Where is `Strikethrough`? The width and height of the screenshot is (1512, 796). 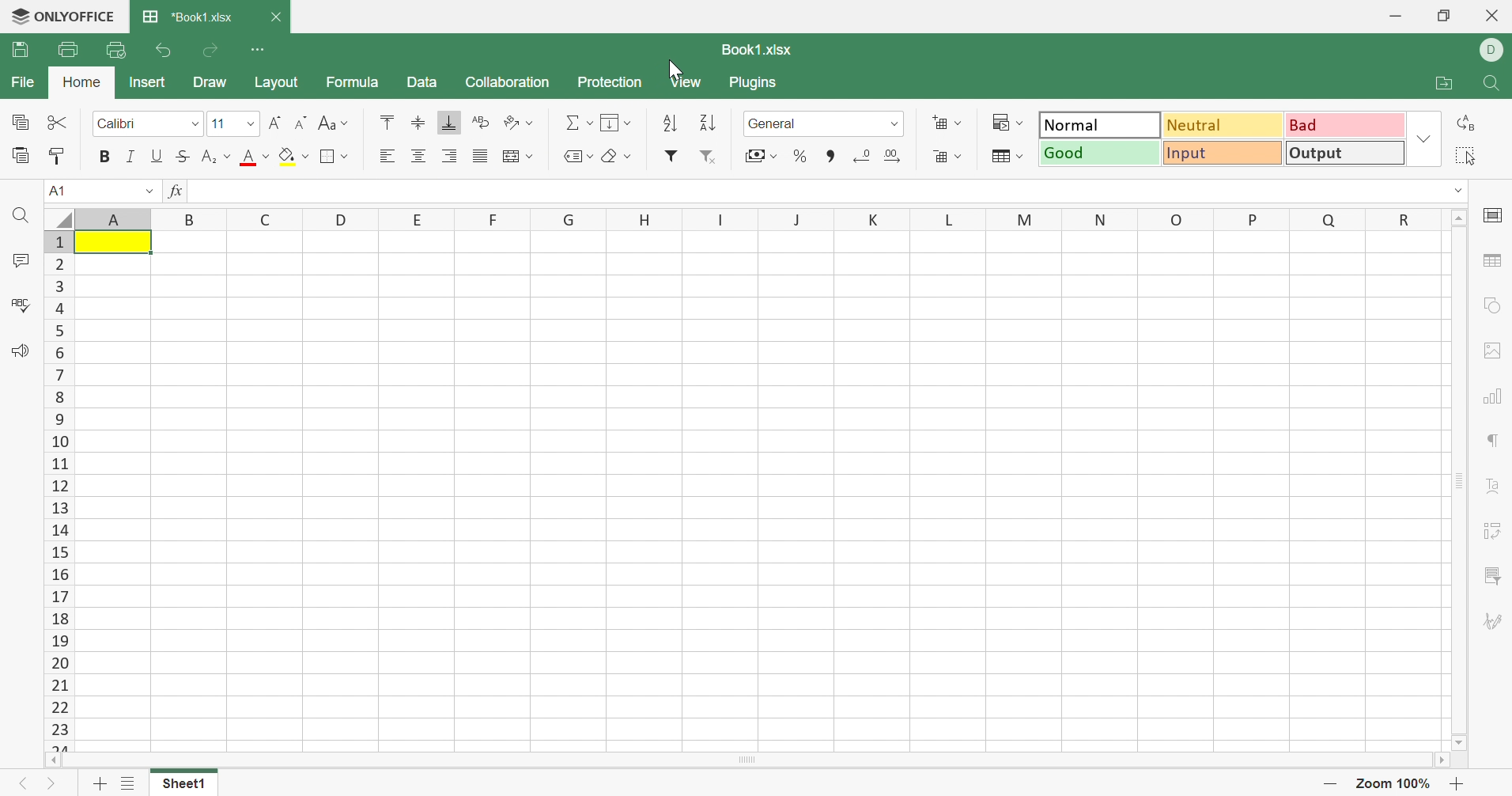
Strikethrough is located at coordinates (183, 154).